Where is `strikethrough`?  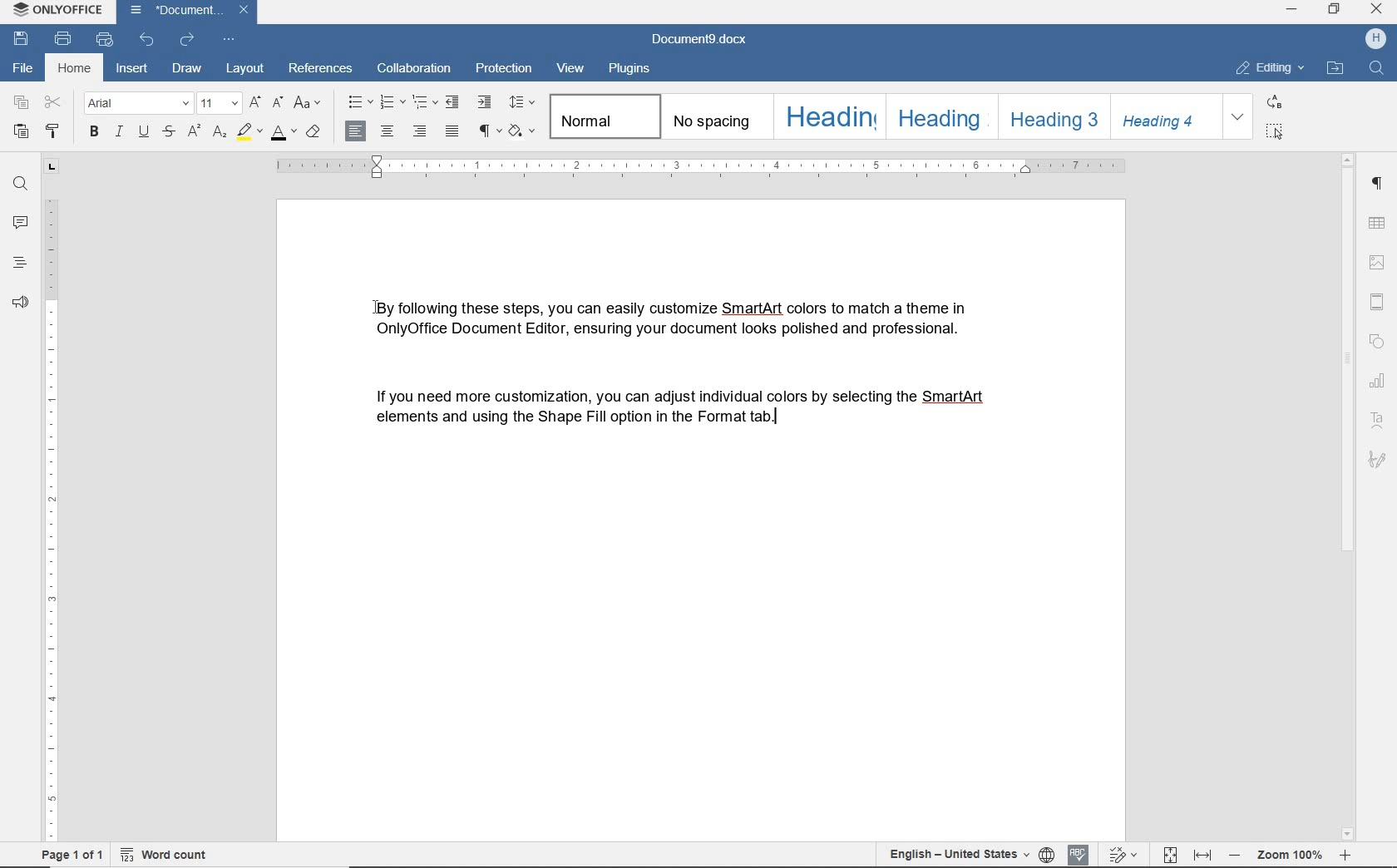 strikethrough is located at coordinates (168, 133).